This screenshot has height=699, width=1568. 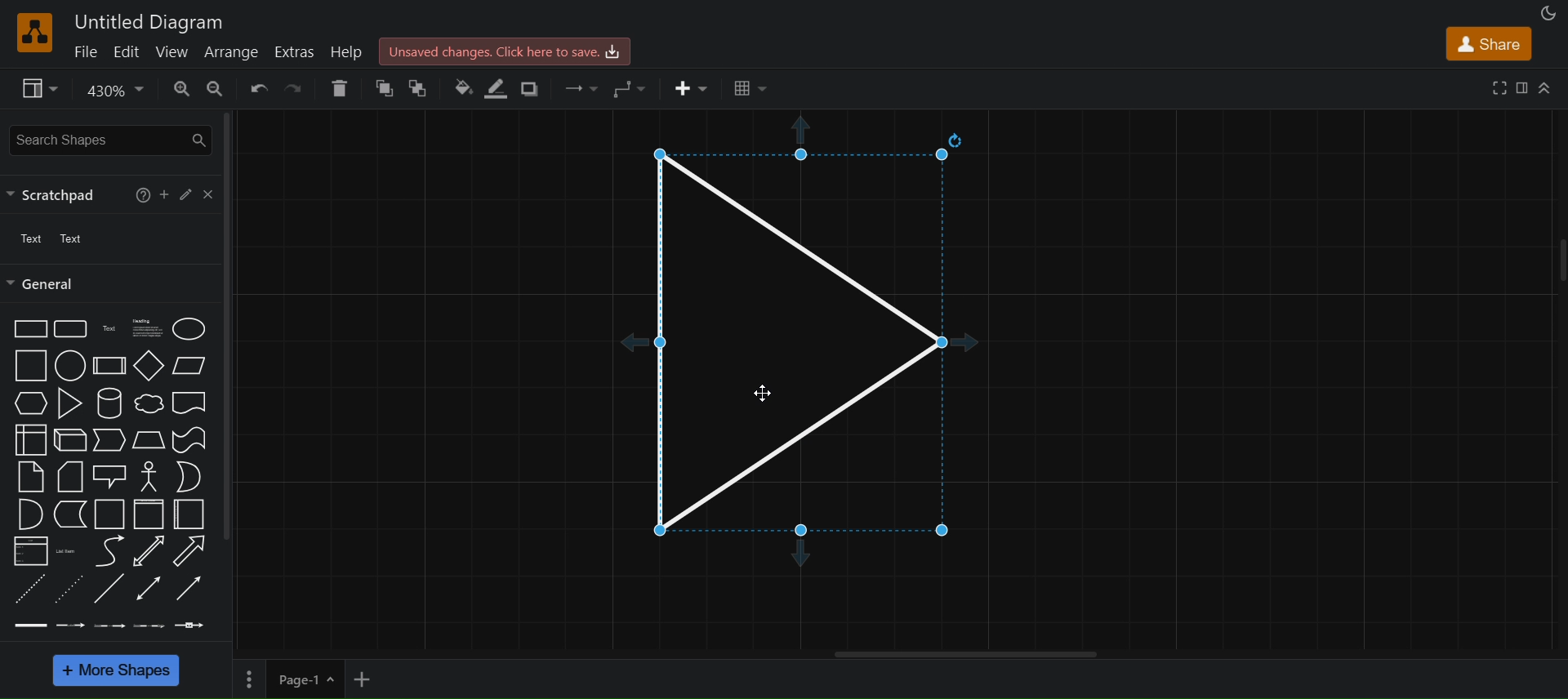 What do you see at coordinates (87, 51) in the screenshot?
I see `file` at bounding box center [87, 51].